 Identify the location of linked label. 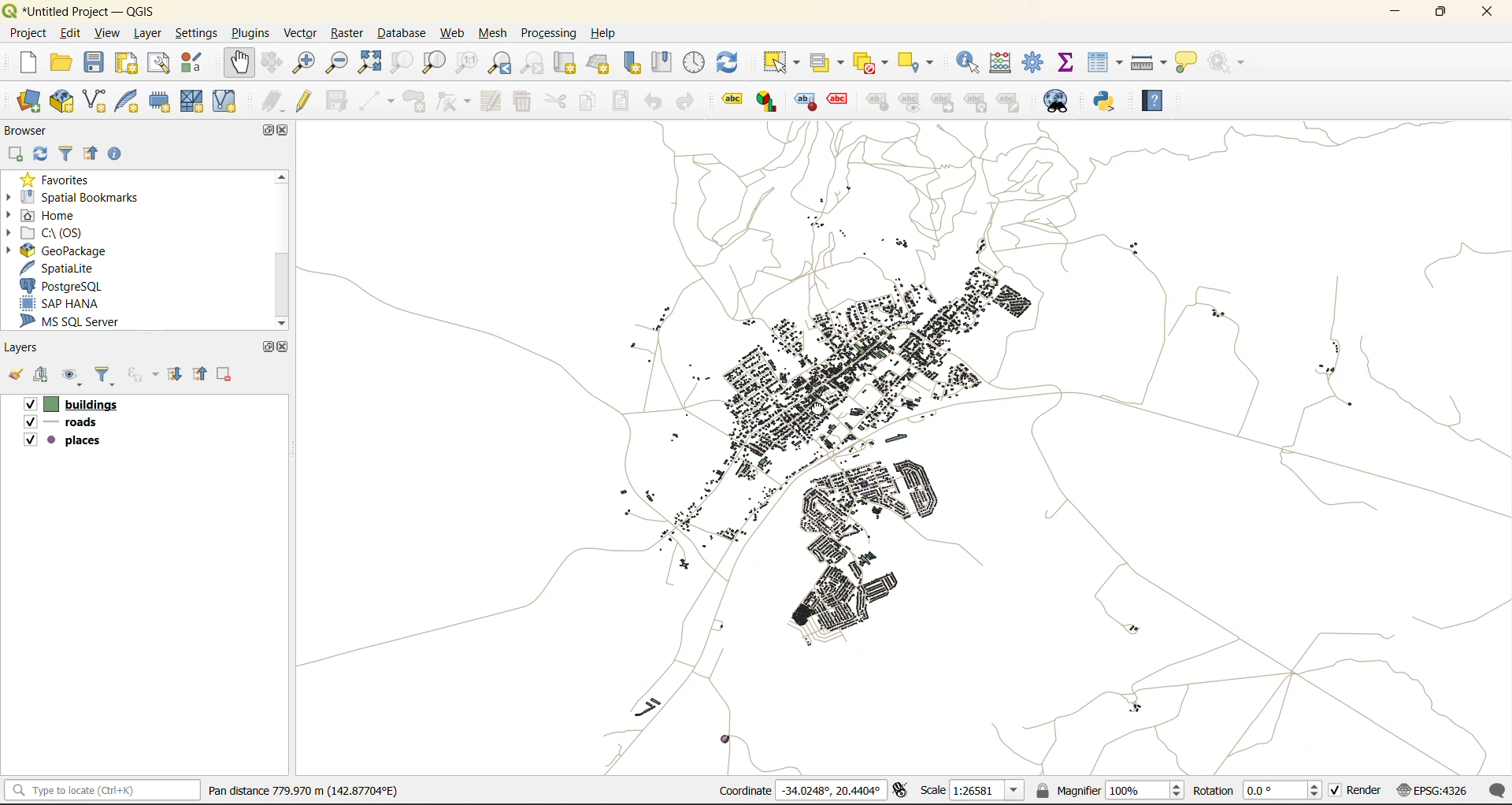
(947, 103).